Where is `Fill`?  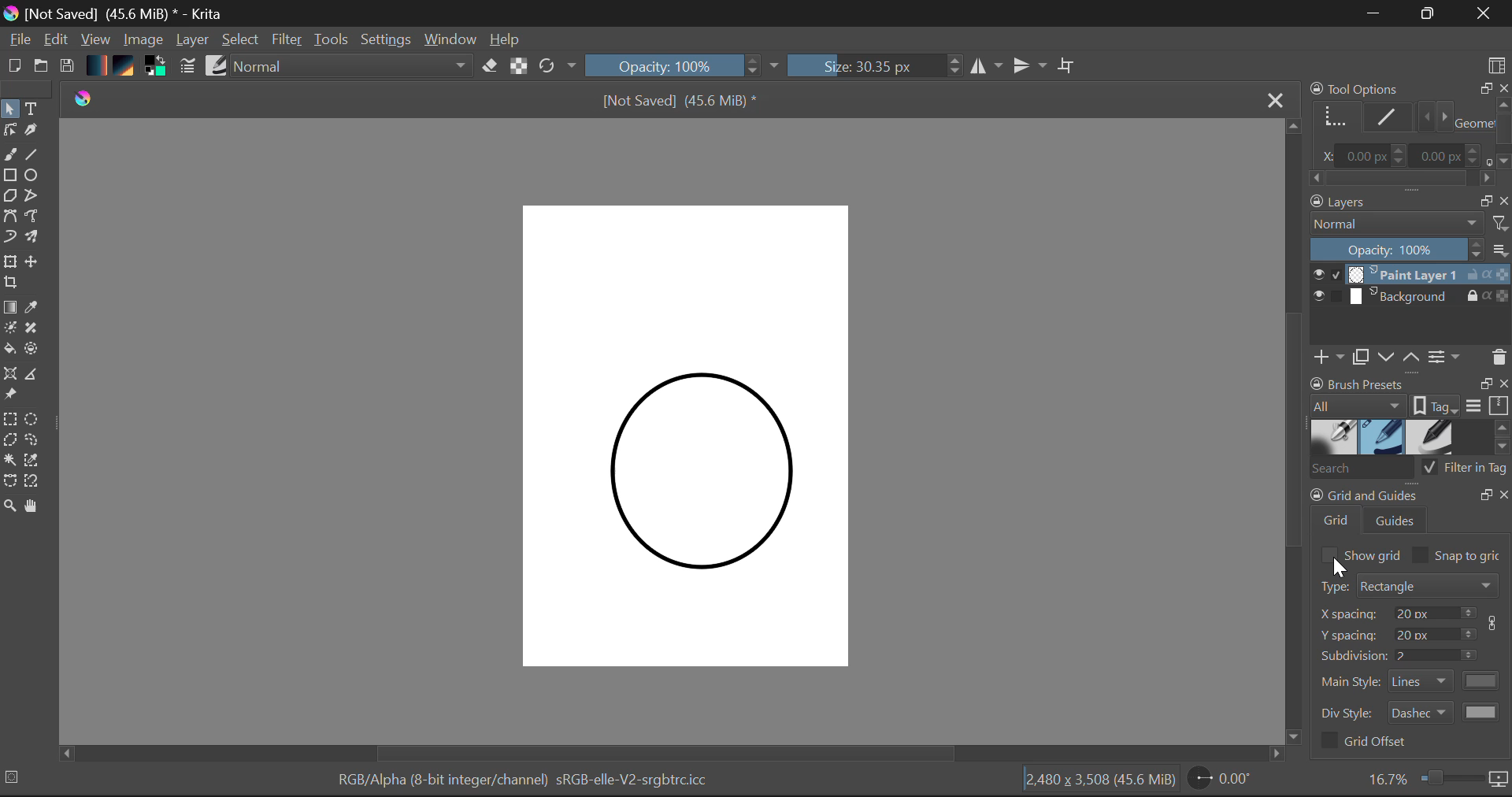 Fill is located at coordinates (9, 350).